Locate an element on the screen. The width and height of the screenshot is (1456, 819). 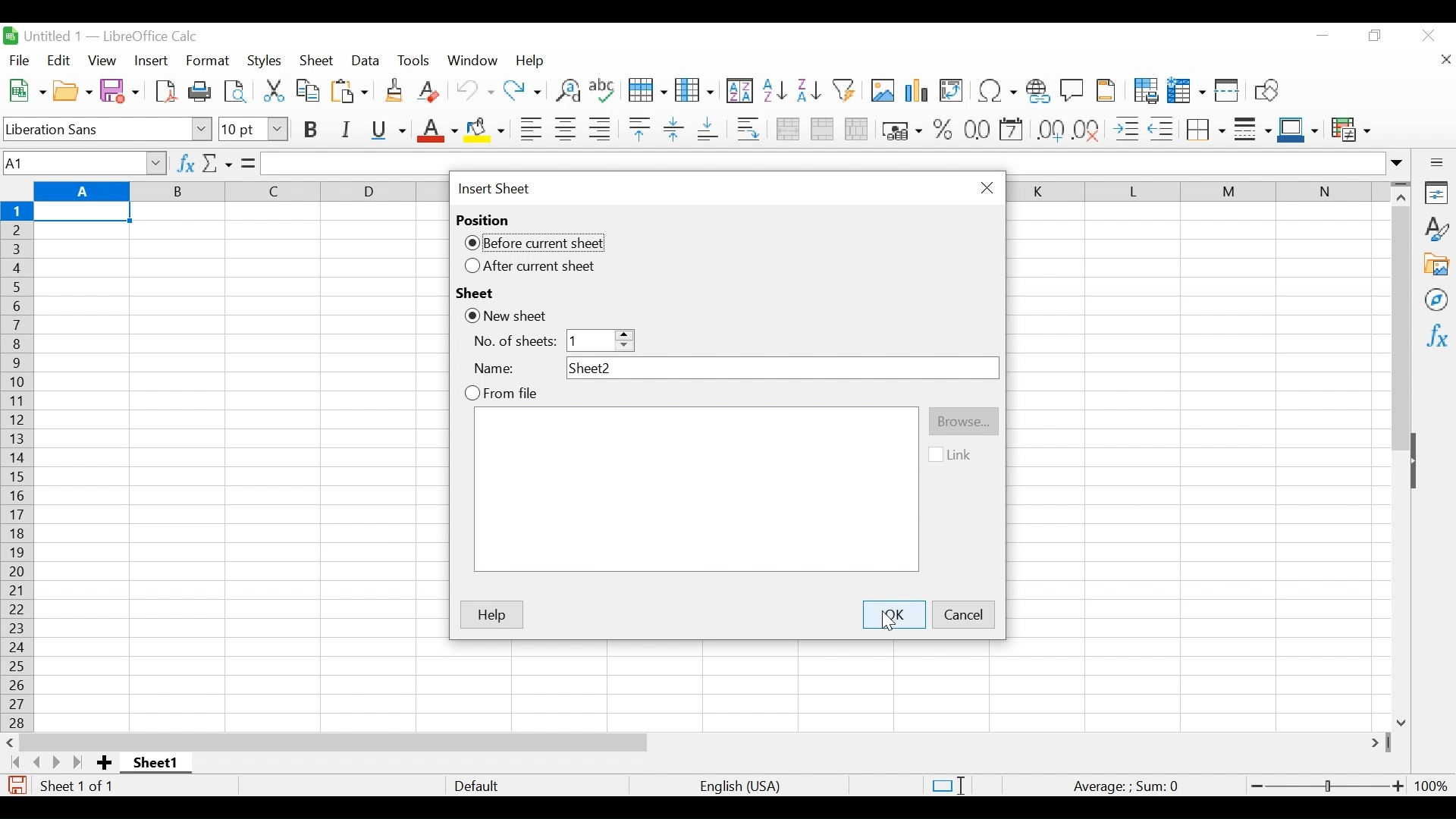
Name is located at coordinates (497, 369).